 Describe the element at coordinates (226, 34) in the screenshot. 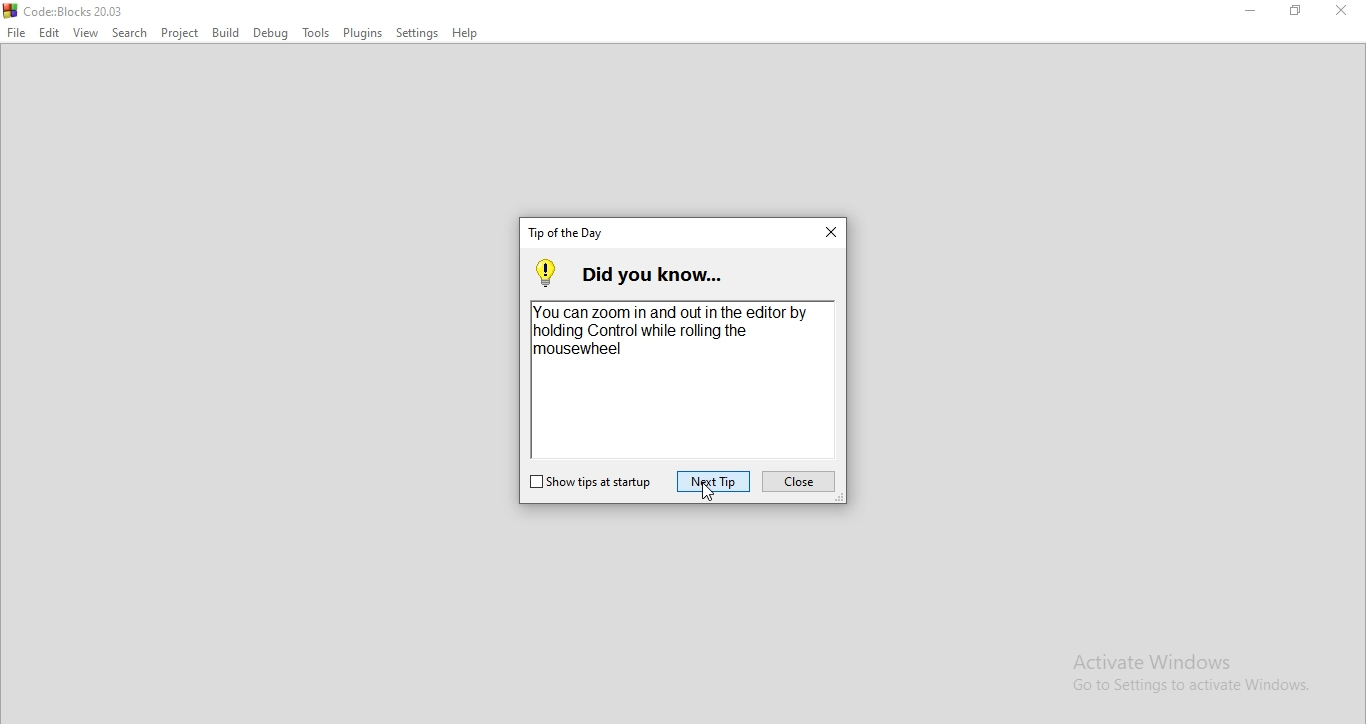

I see `Build ` at that location.